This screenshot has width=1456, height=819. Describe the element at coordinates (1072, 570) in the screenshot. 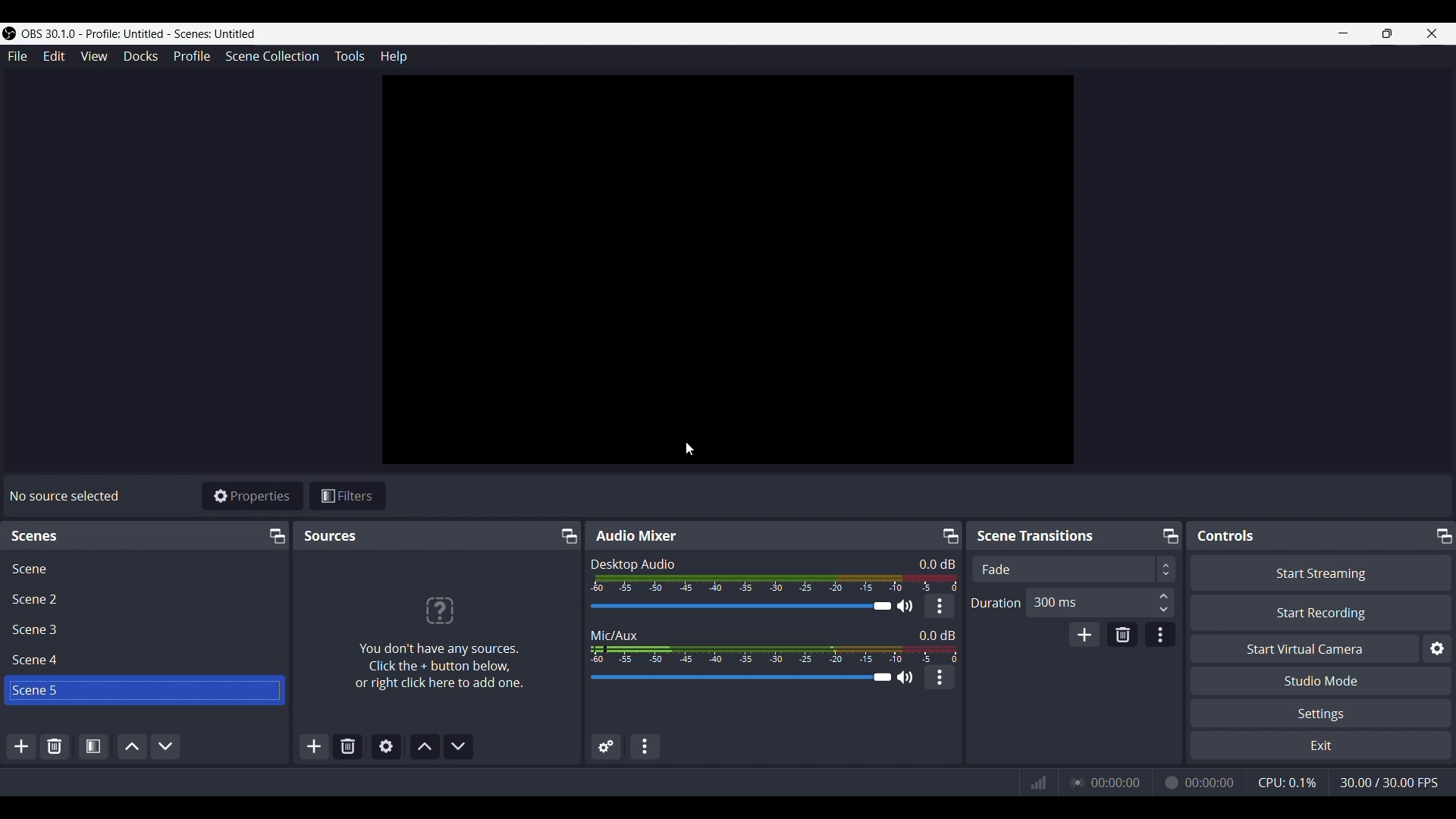

I see `Transition type` at that location.